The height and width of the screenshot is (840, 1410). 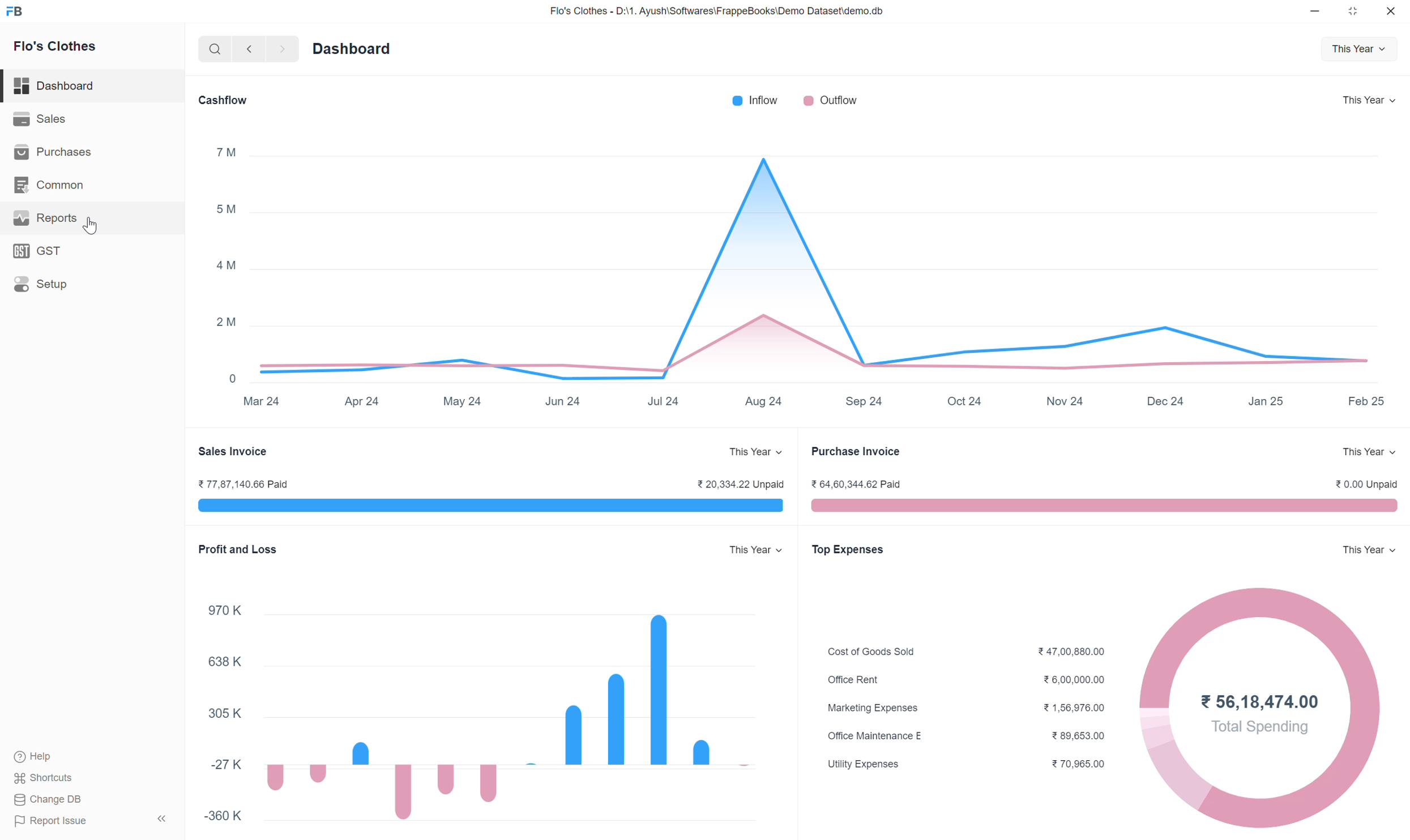 What do you see at coordinates (212, 49) in the screenshot?
I see `search` at bounding box center [212, 49].